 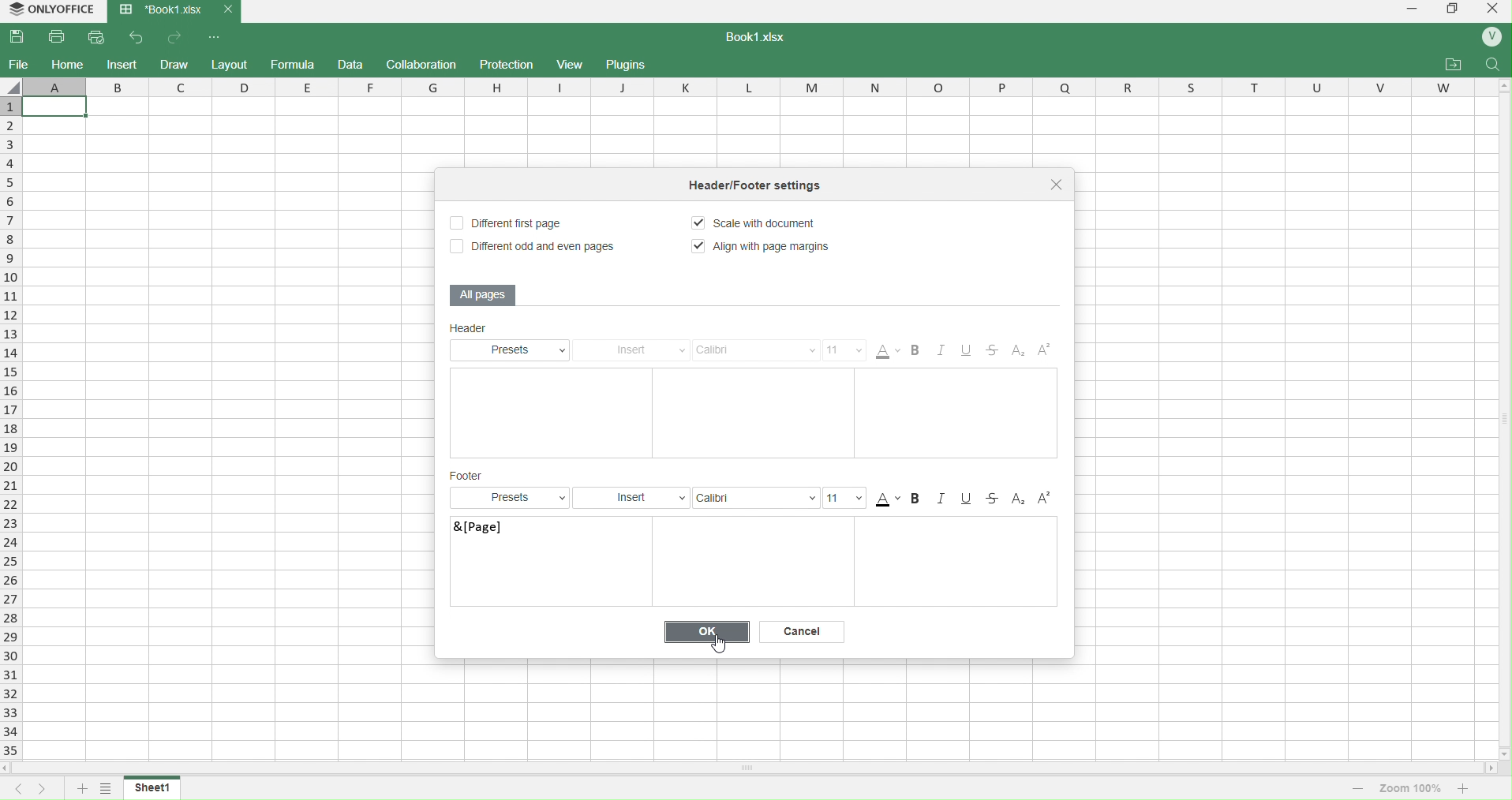 What do you see at coordinates (293, 65) in the screenshot?
I see `formula` at bounding box center [293, 65].